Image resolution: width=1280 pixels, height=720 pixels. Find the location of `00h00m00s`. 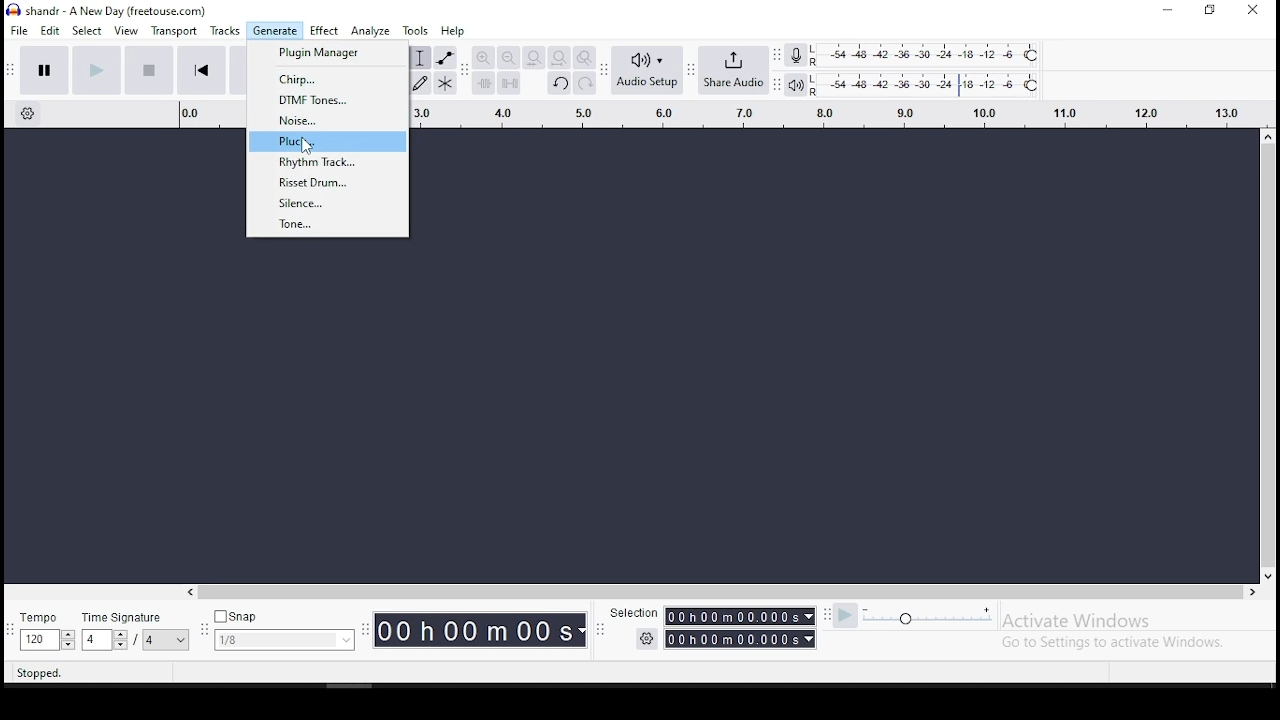

00h00m00s is located at coordinates (739, 616).